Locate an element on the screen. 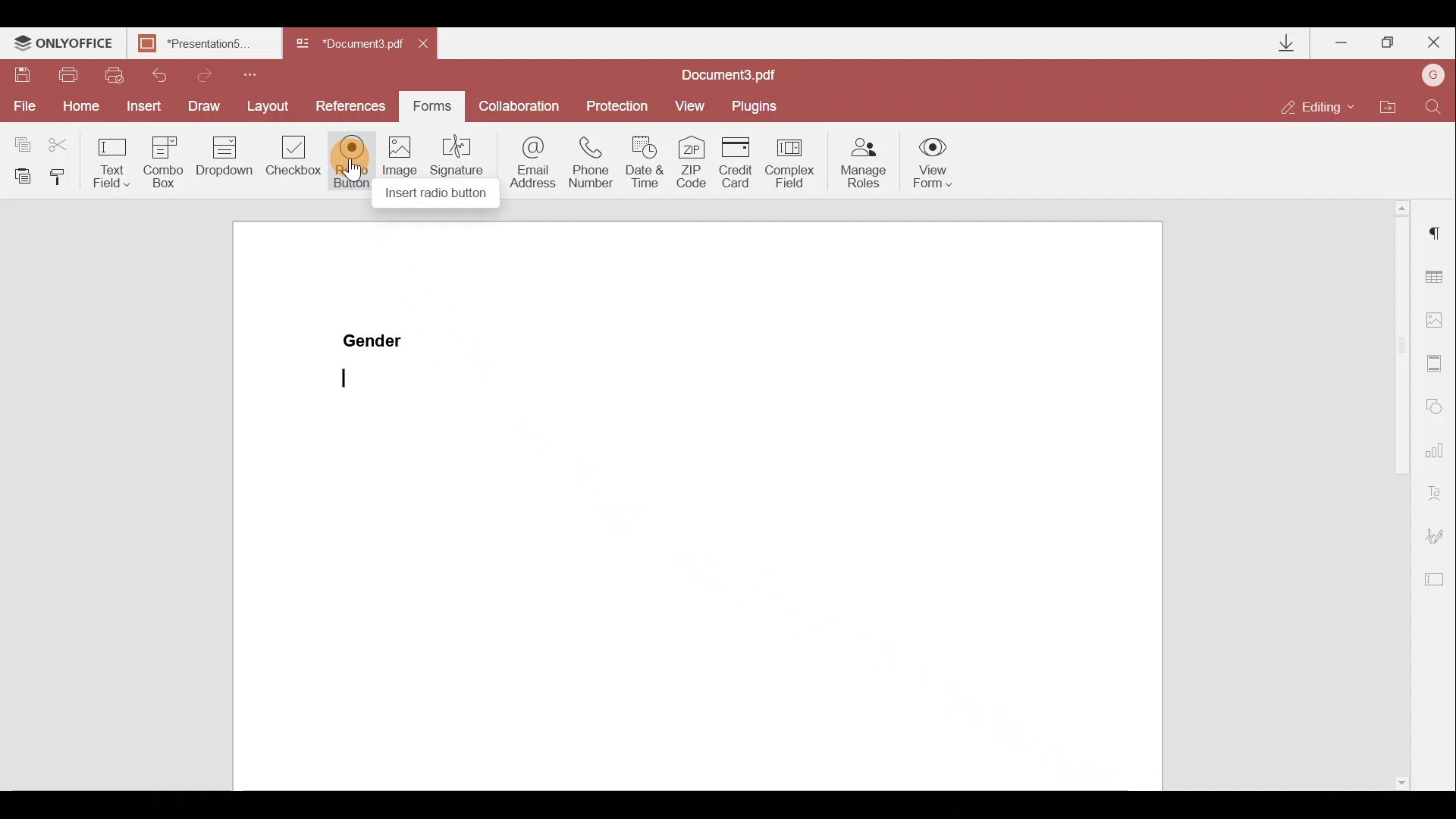 This screenshot has width=1456, height=819. Chart settings is located at coordinates (1437, 456).